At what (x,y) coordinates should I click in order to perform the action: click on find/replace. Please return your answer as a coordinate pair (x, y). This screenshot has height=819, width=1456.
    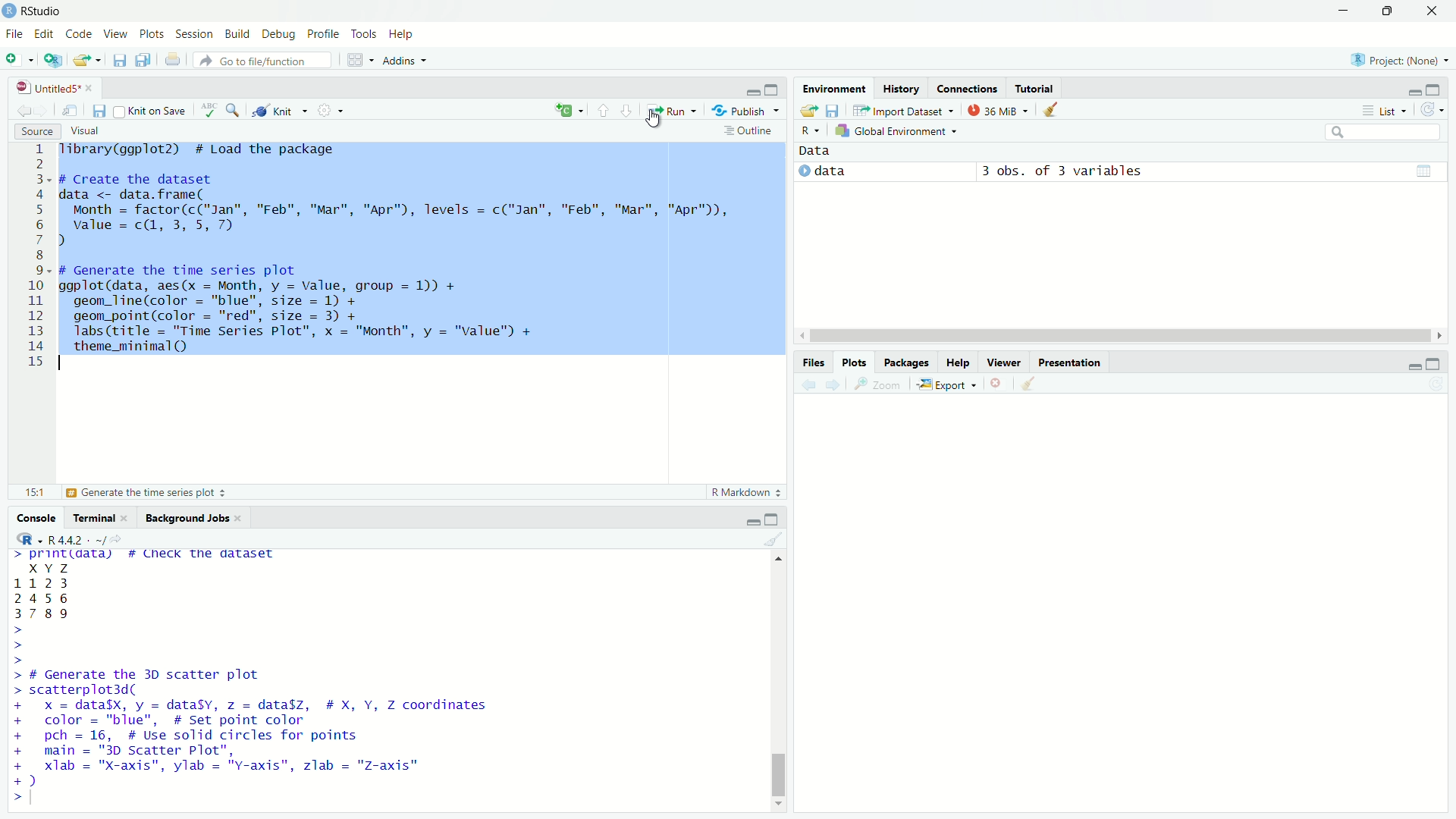
    Looking at the image, I should click on (234, 113).